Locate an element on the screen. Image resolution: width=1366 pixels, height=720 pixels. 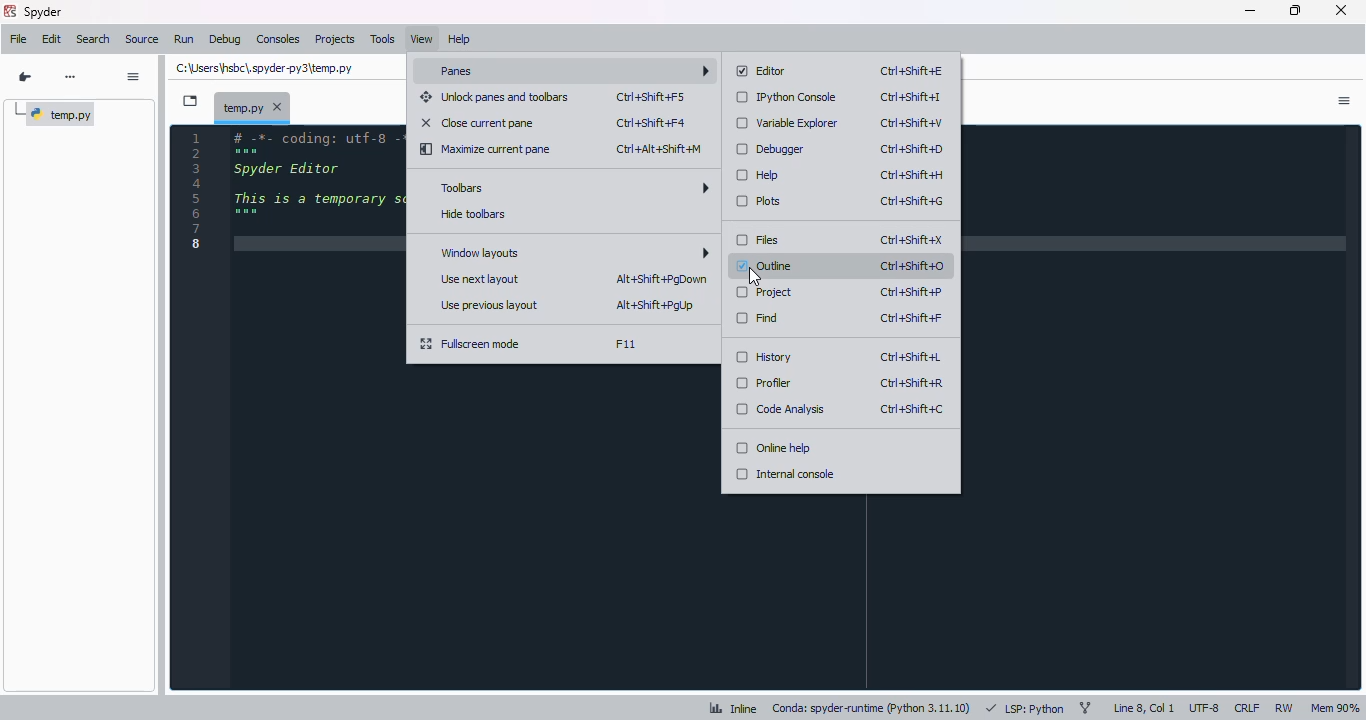
debug is located at coordinates (226, 40).